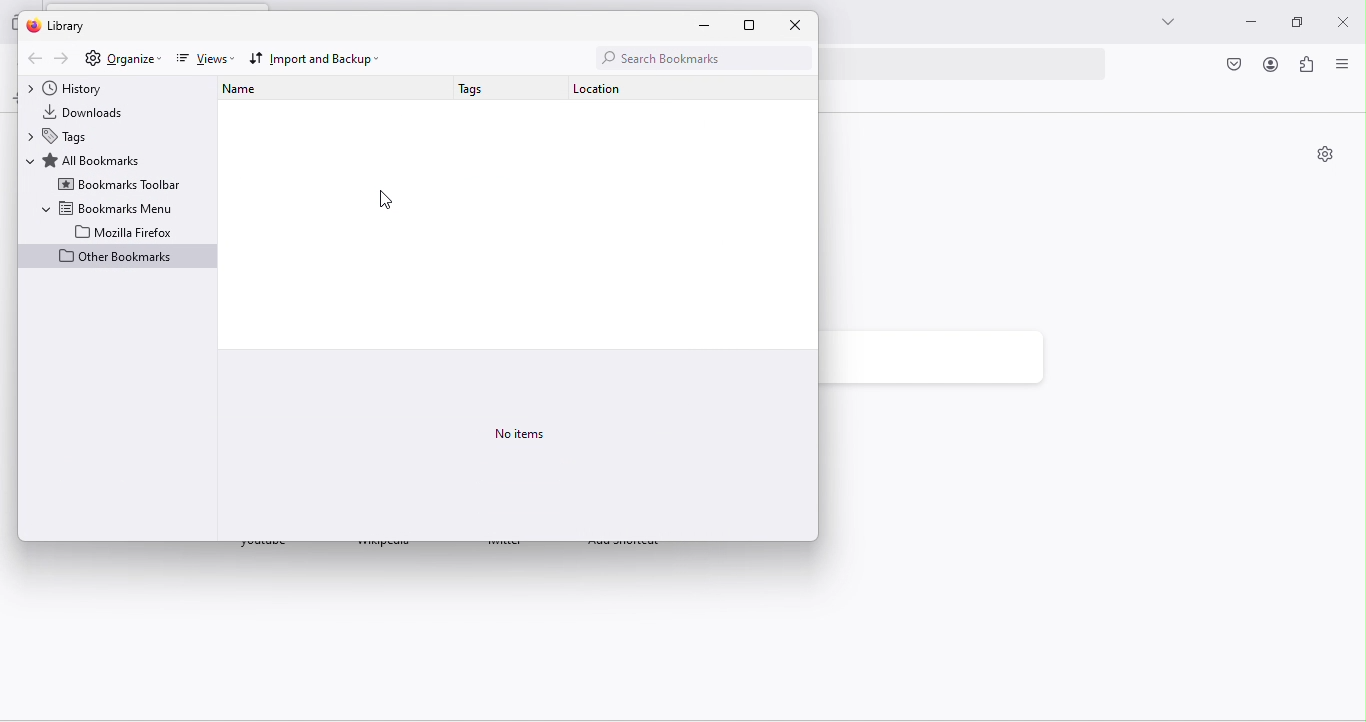 Image resolution: width=1366 pixels, height=722 pixels. I want to click on name, so click(251, 92).